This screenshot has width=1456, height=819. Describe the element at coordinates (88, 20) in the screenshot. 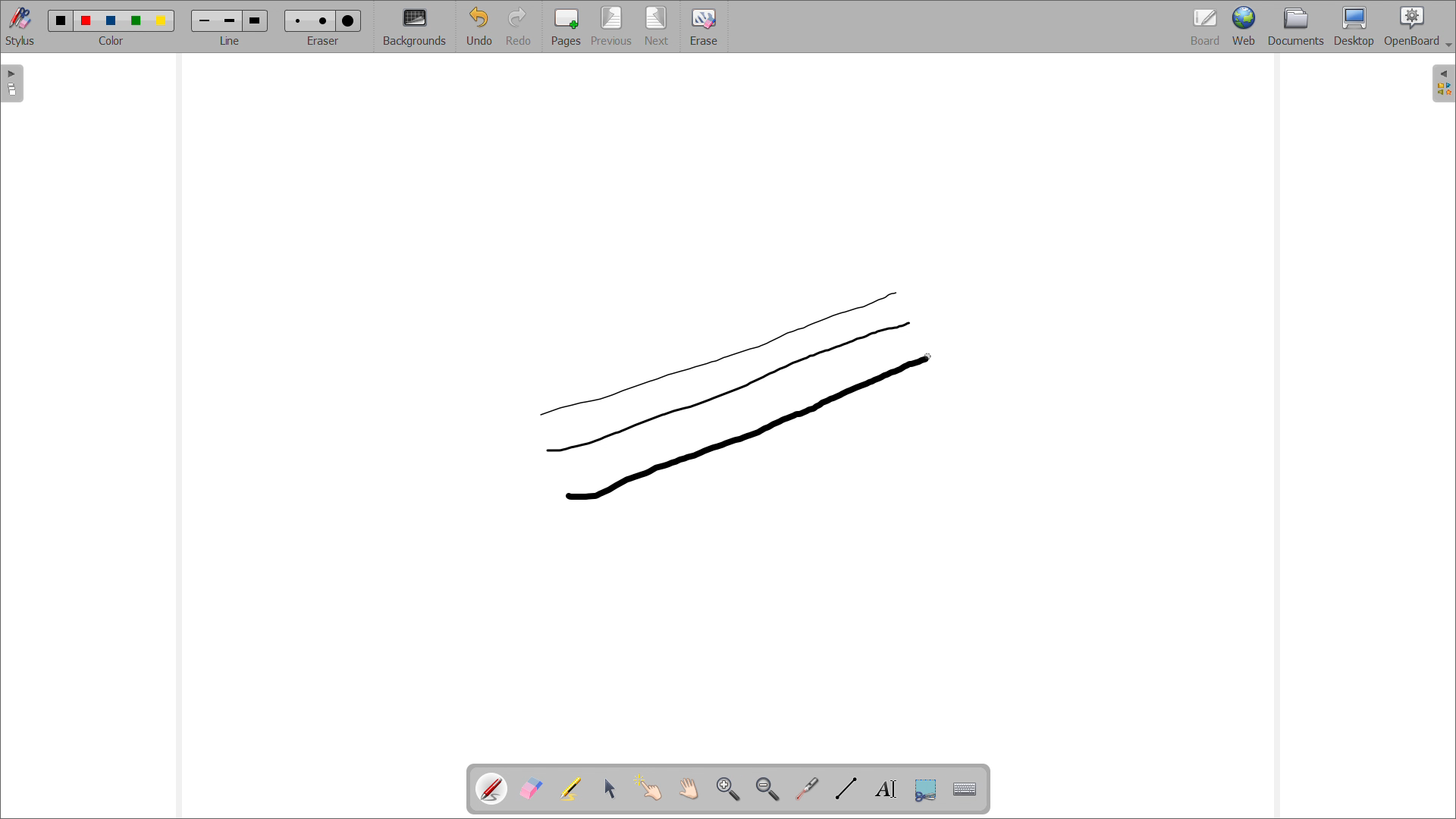

I see `color` at that location.